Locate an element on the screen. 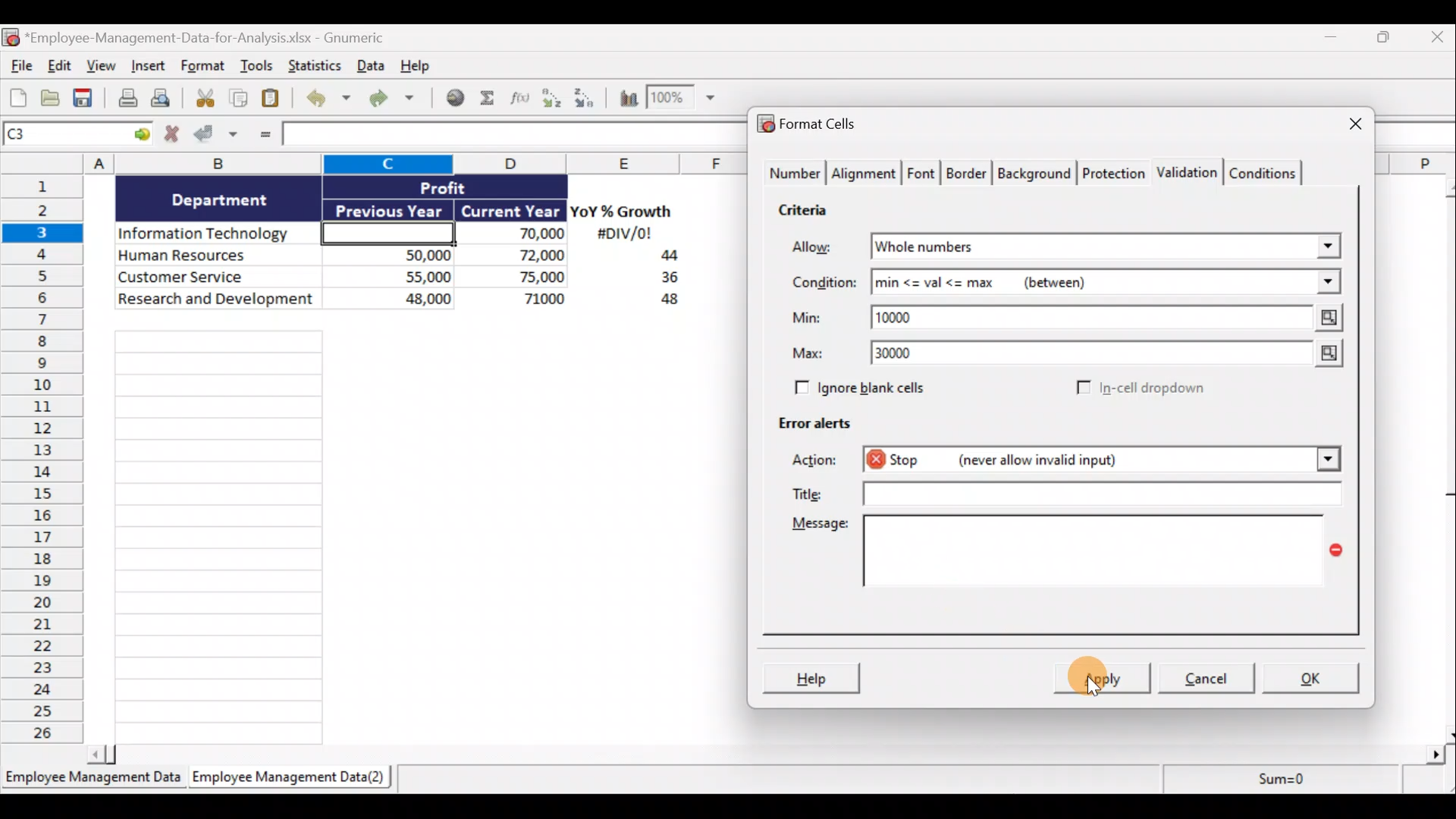 The image size is (1456, 819). Scroll bar is located at coordinates (771, 752).